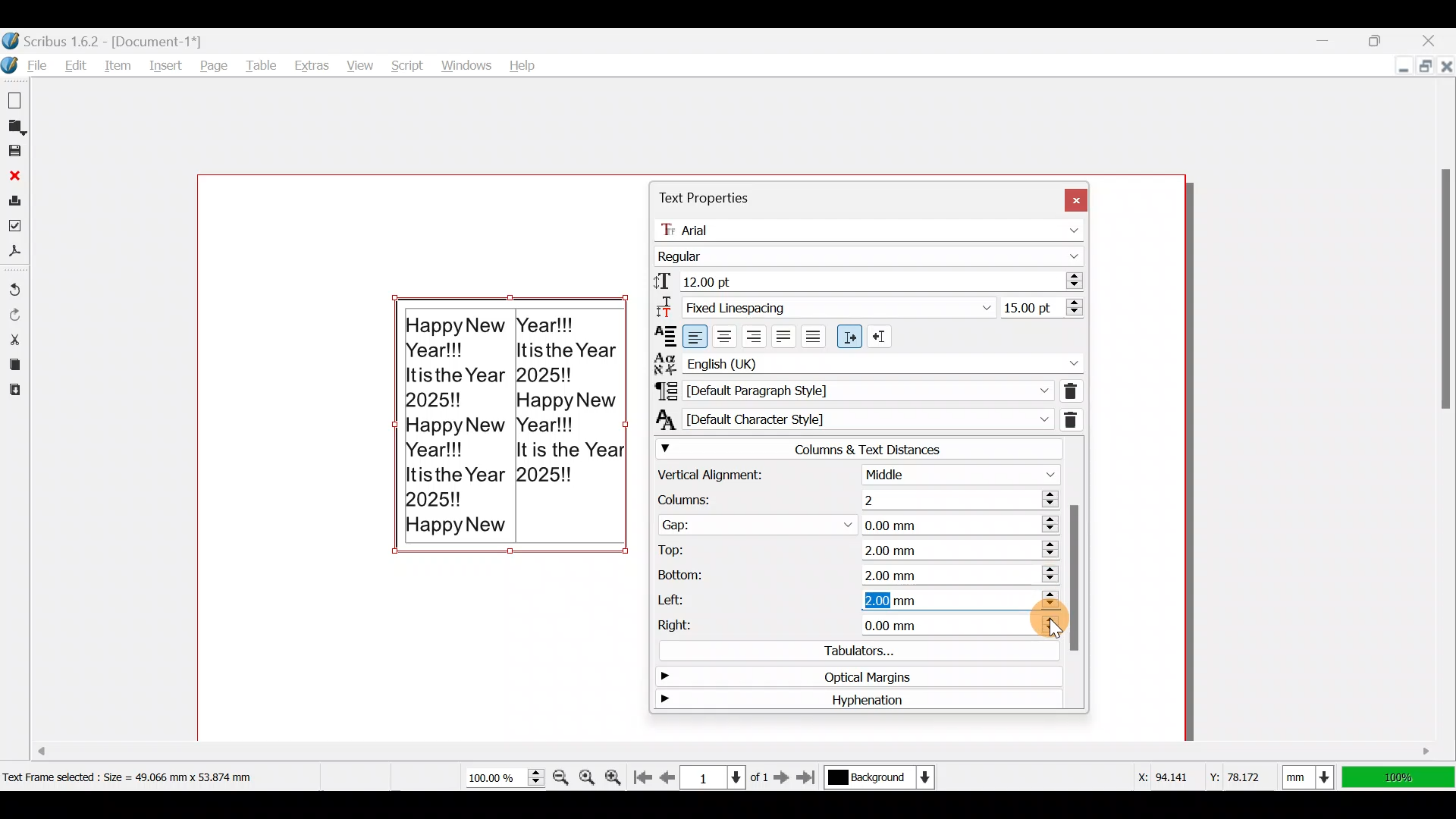  What do you see at coordinates (696, 337) in the screenshot?
I see `Align text left` at bounding box center [696, 337].